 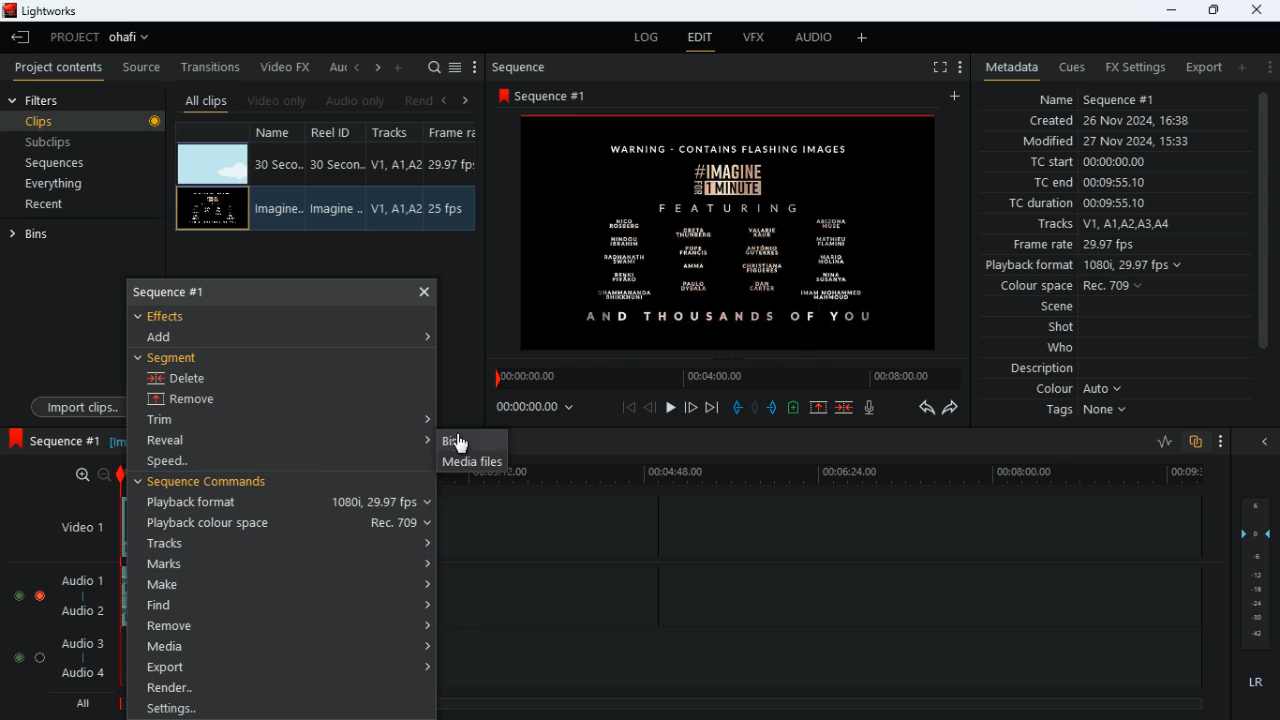 What do you see at coordinates (470, 464) in the screenshot?
I see `media files` at bounding box center [470, 464].